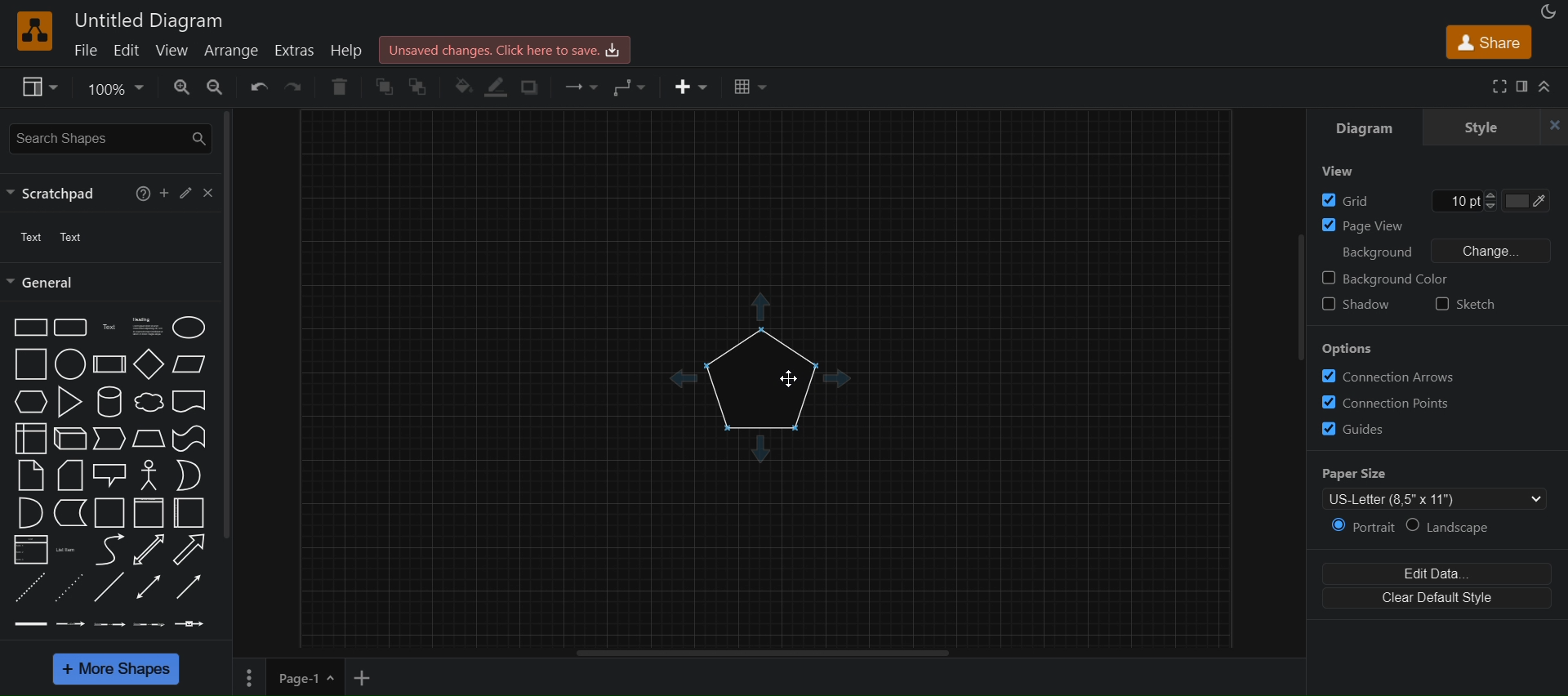 The image size is (1568, 696). What do you see at coordinates (339, 86) in the screenshot?
I see `delete` at bounding box center [339, 86].